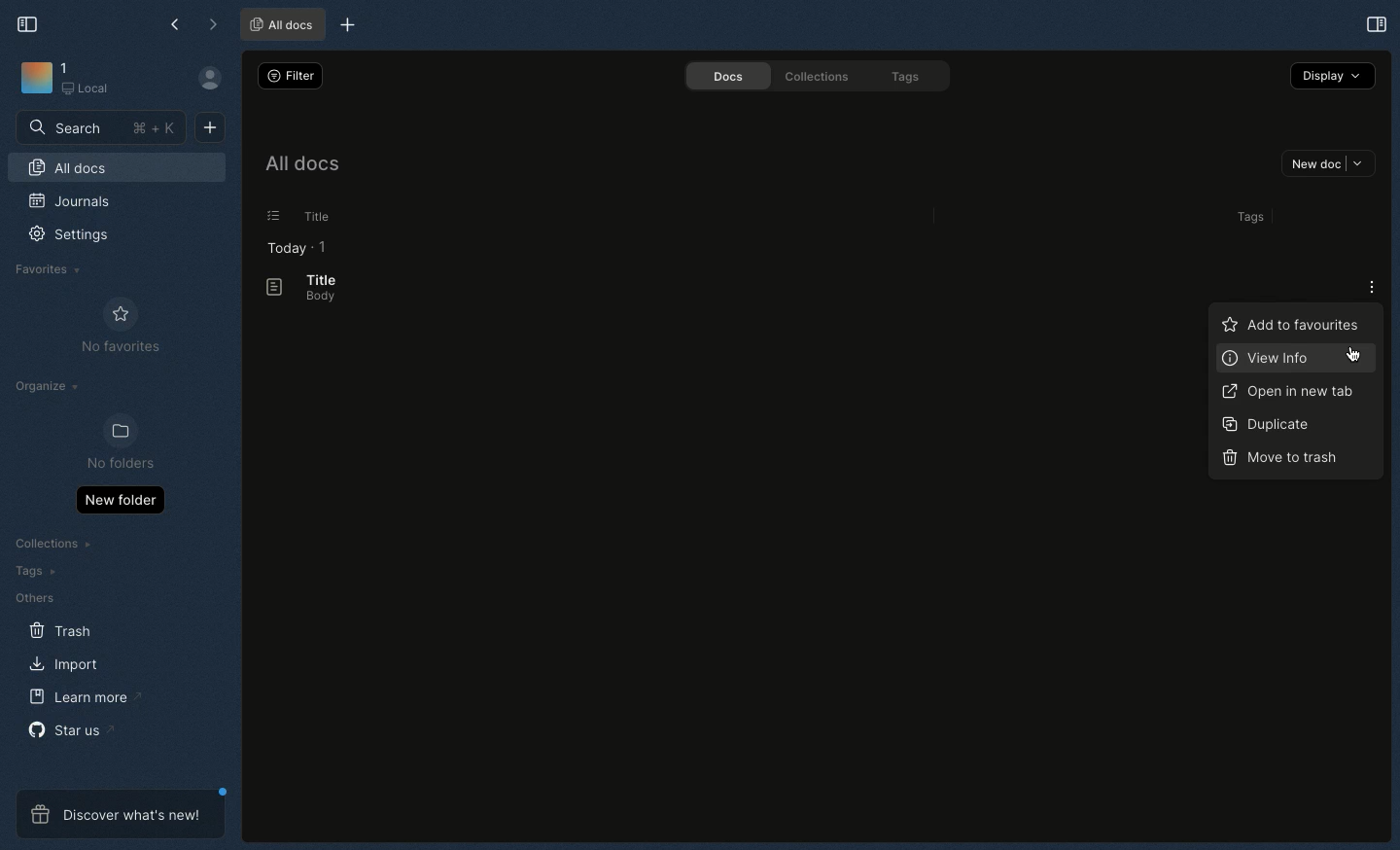 The height and width of the screenshot is (850, 1400). What do you see at coordinates (94, 80) in the screenshot?
I see `Workspace` at bounding box center [94, 80].